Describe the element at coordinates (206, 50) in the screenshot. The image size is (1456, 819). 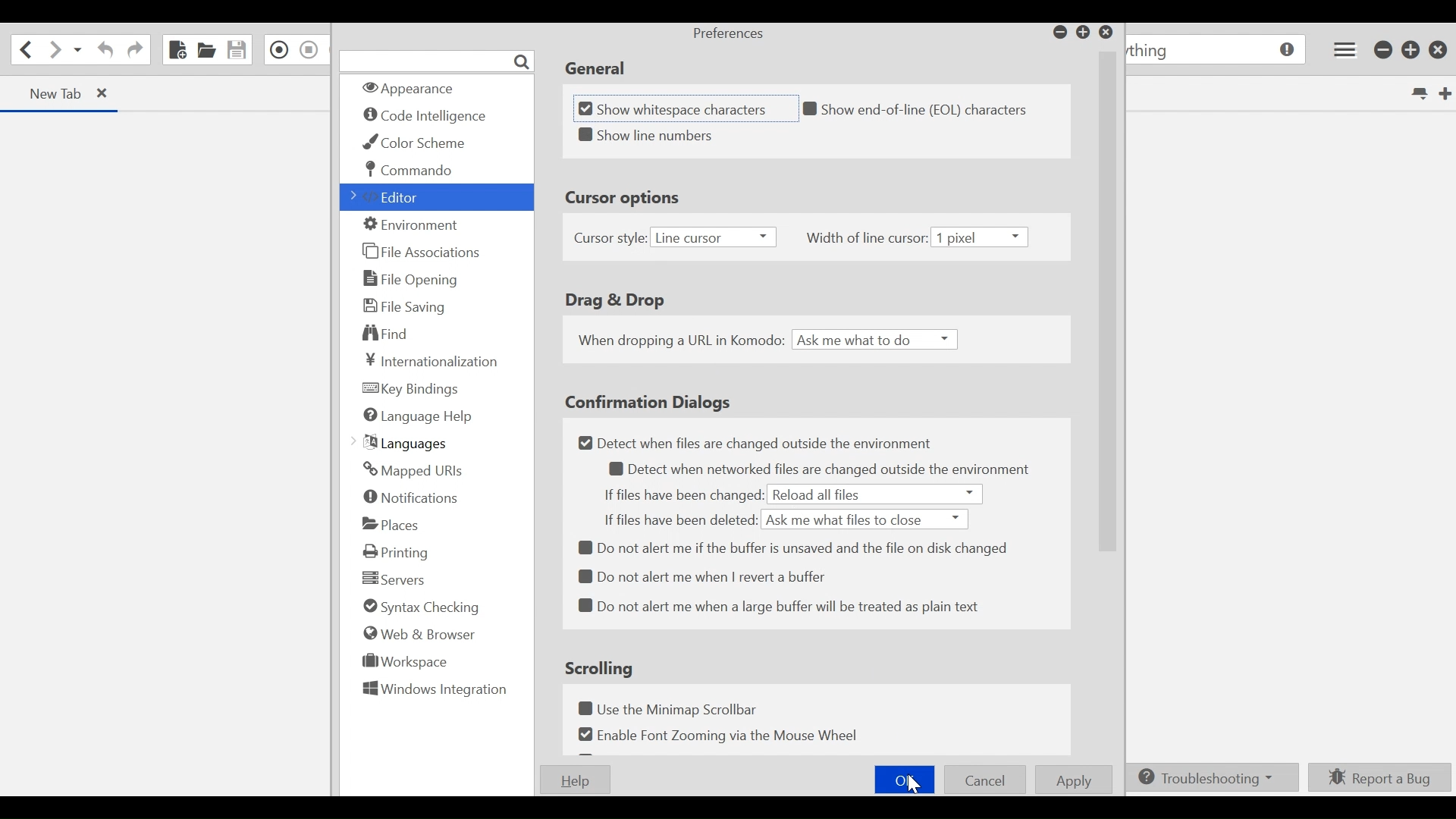
I see `Open File` at that location.